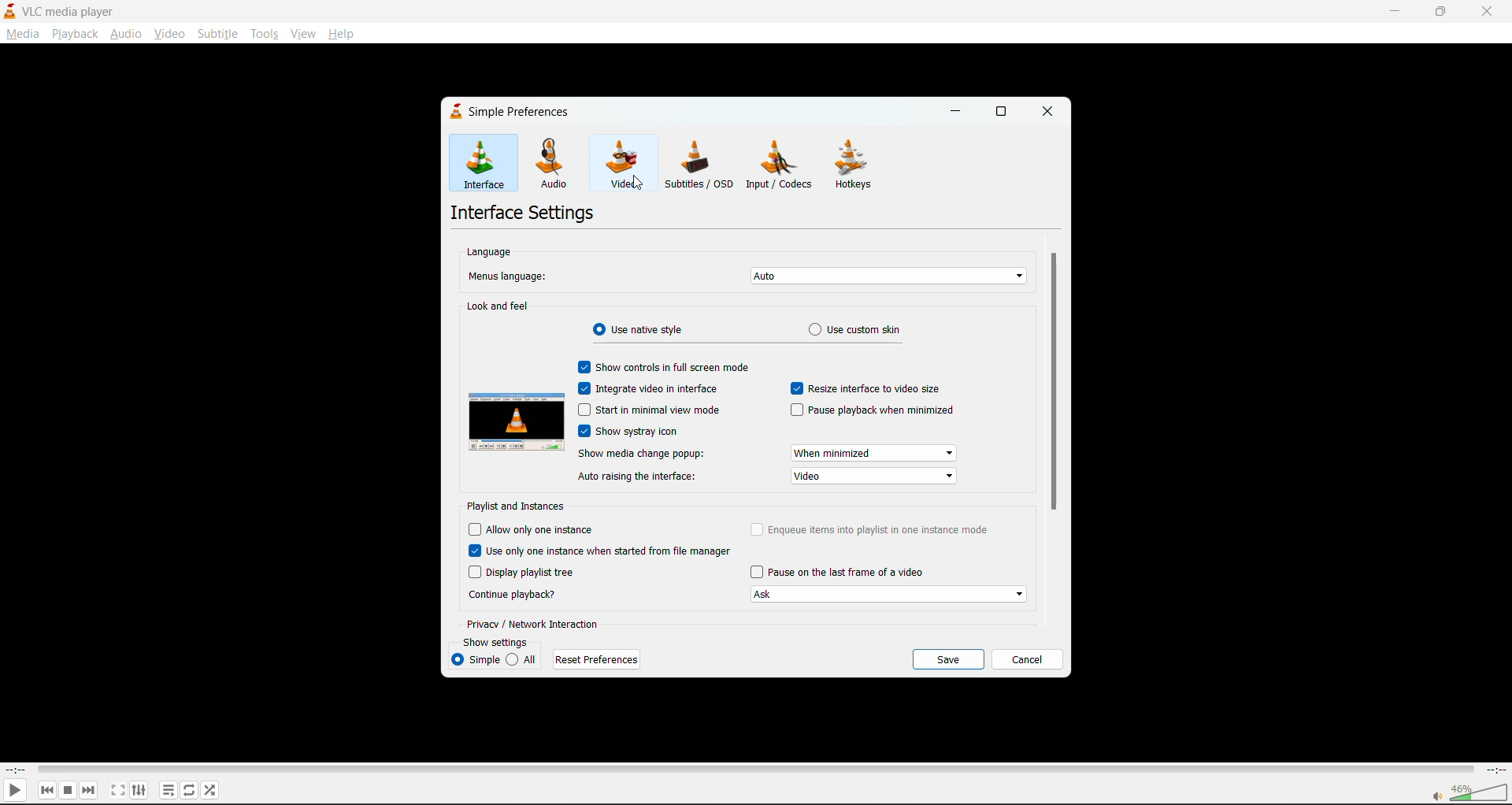 The width and height of the screenshot is (1512, 805). Describe the element at coordinates (651, 410) in the screenshot. I see `start in minimal view mode` at that location.